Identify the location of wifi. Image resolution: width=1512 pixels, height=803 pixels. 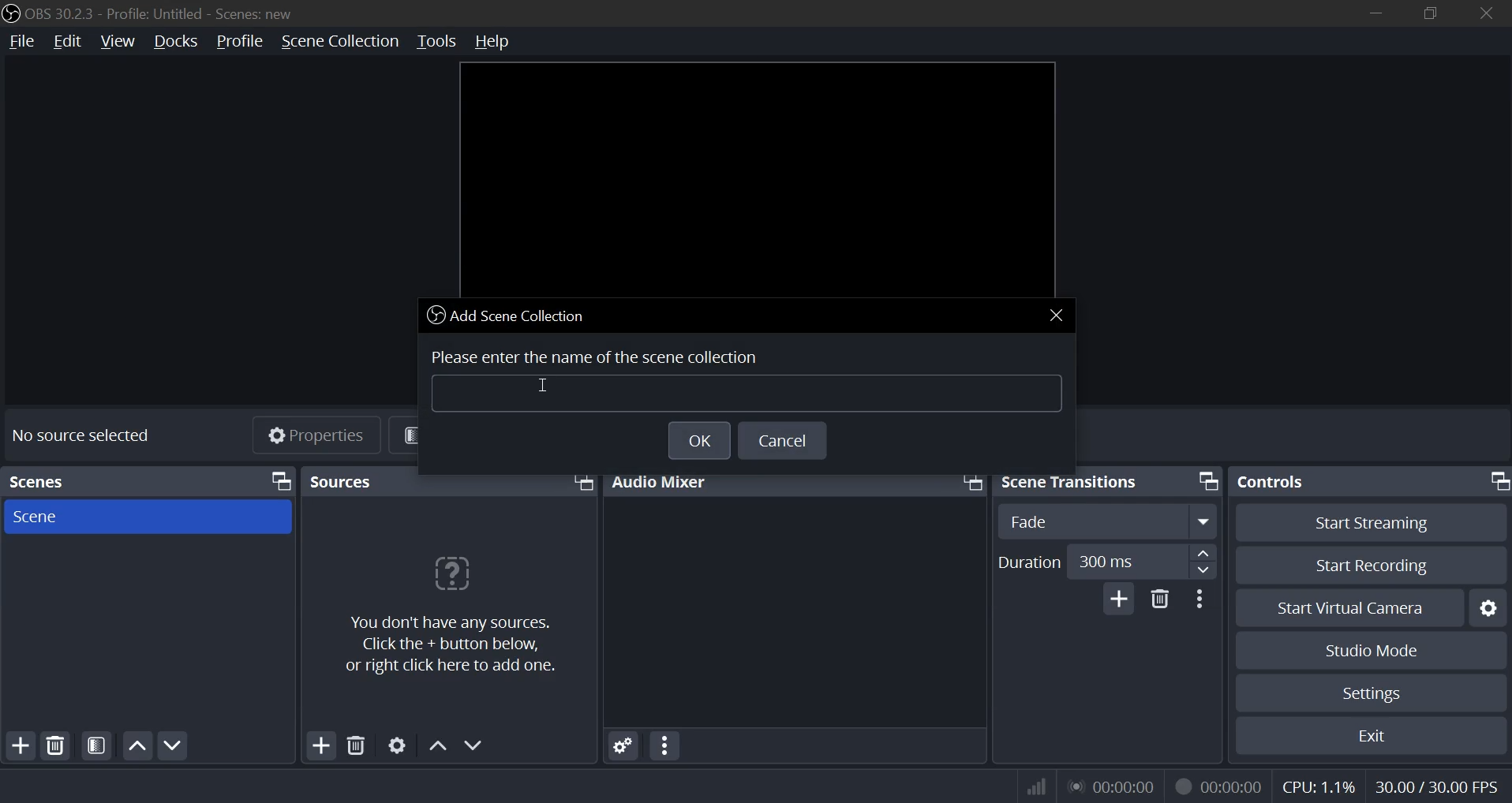
(1029, 786).